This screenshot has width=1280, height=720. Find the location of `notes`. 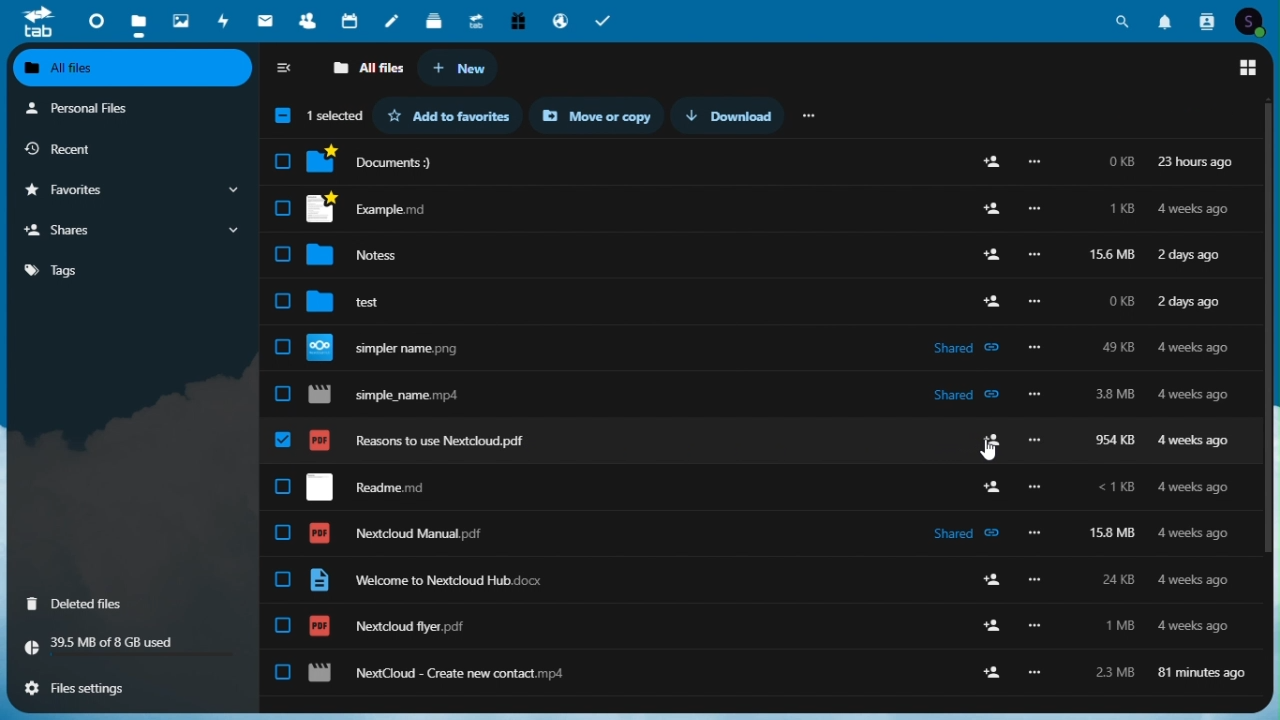

notes is located at coordinates (392, 22).